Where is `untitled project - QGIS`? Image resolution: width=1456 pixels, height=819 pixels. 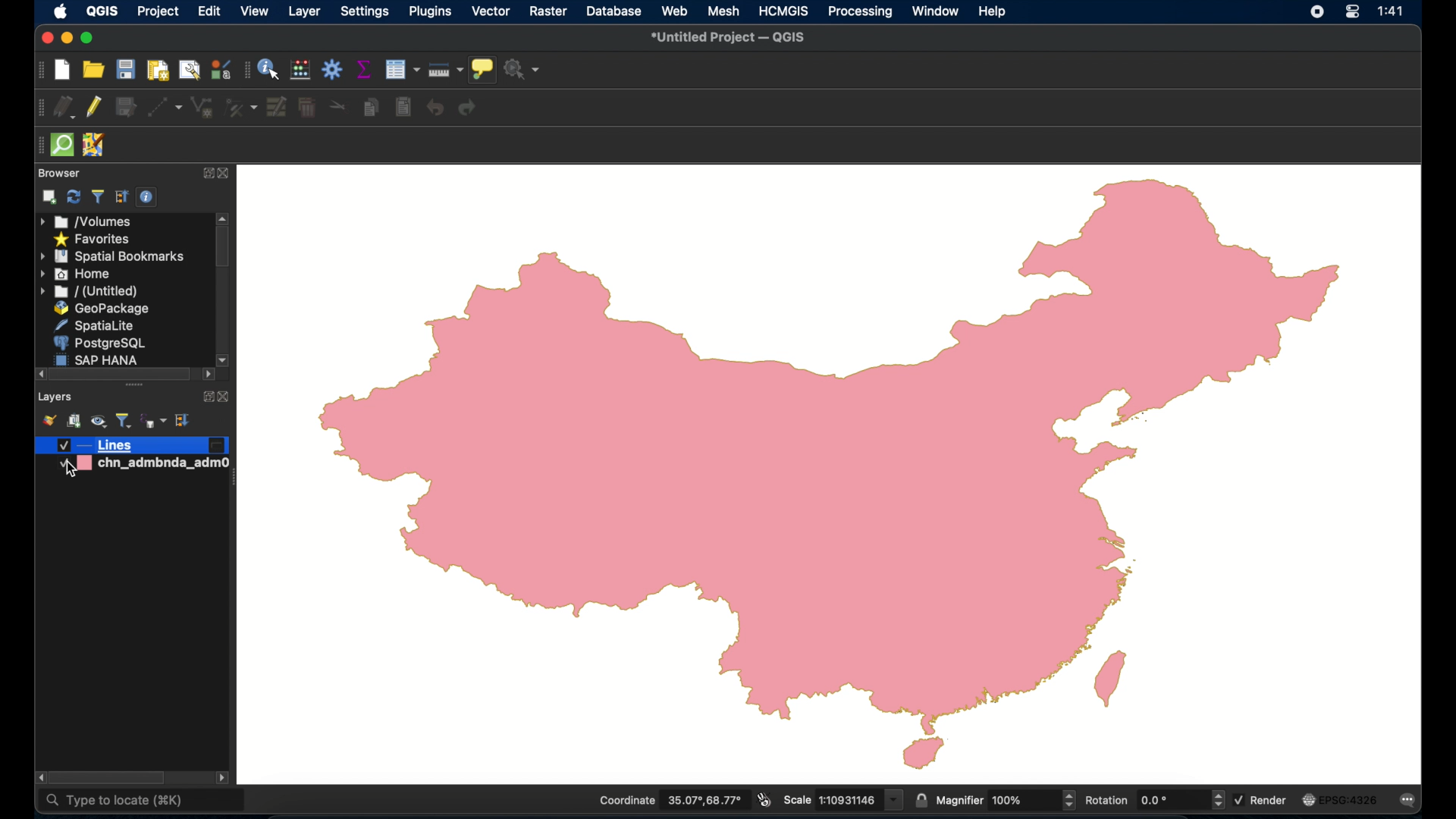
untitled project - QGIS is located at coordinates (729, 39).